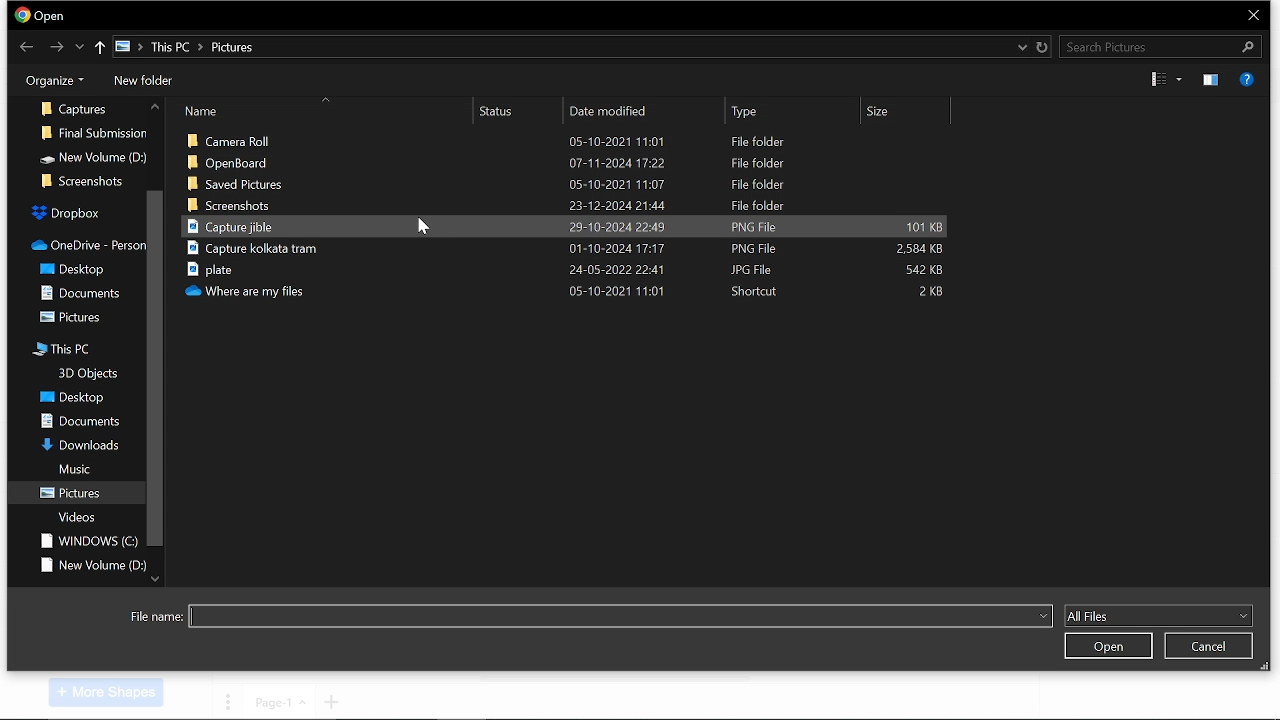  Describe the element at coordinates (79, 180) in the screenshot. I see `folders` at that location.